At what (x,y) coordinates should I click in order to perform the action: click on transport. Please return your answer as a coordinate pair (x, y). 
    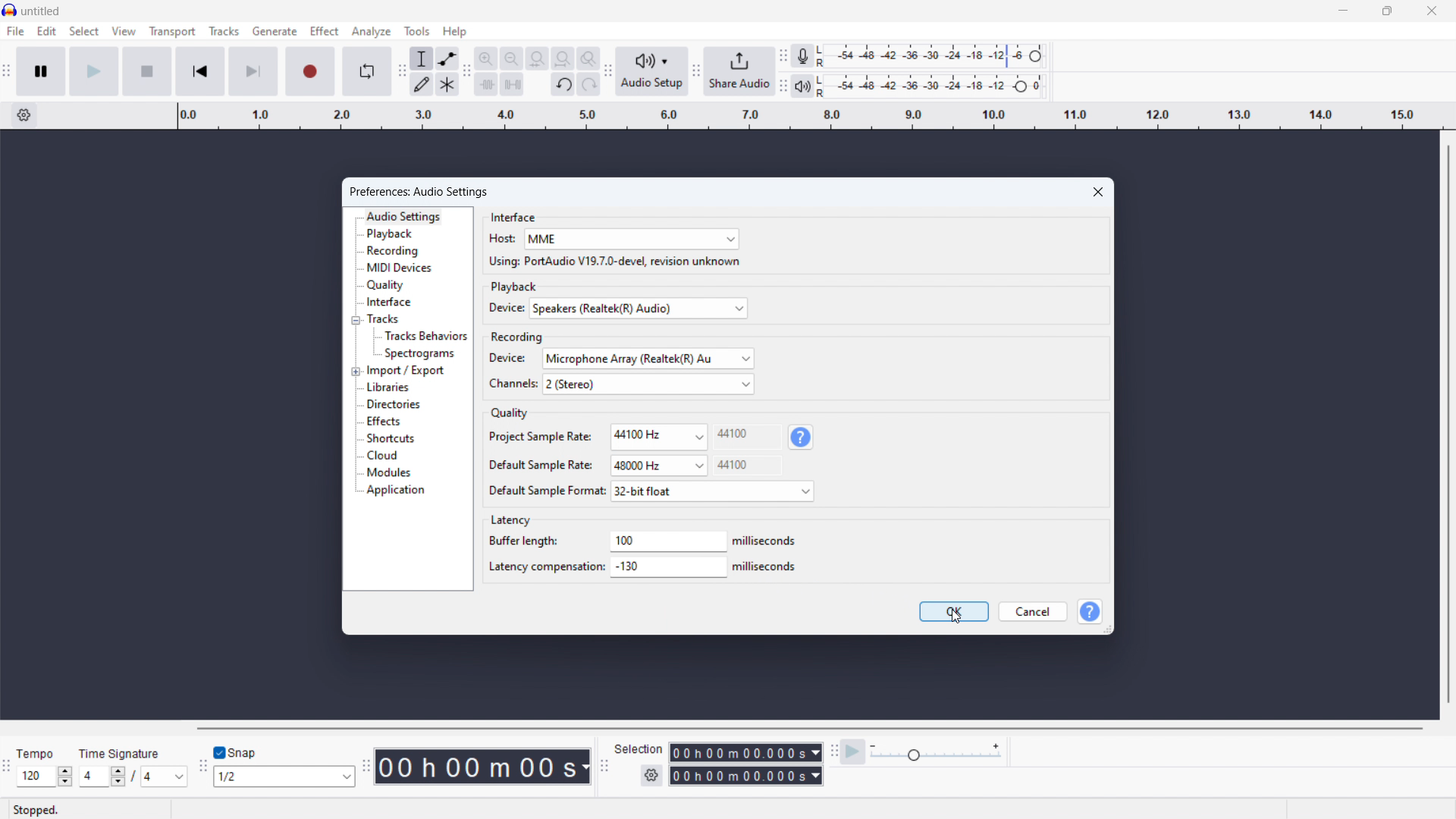
    Looking at the image, I should click on (173, 32).